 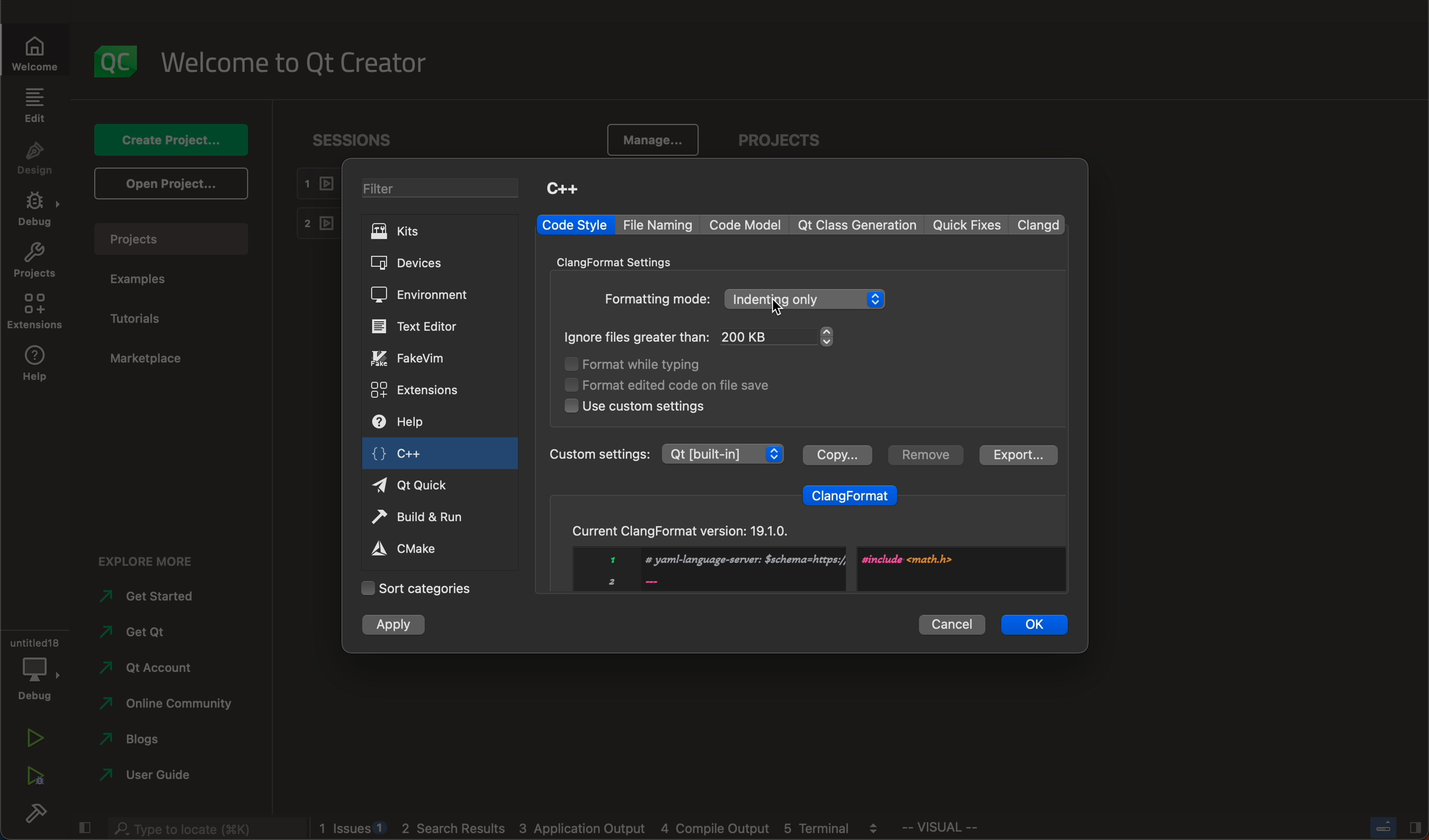 What do you see at coordinates (747, 224) in the screenshot?
I see `code` at bounding box center [747, 224].